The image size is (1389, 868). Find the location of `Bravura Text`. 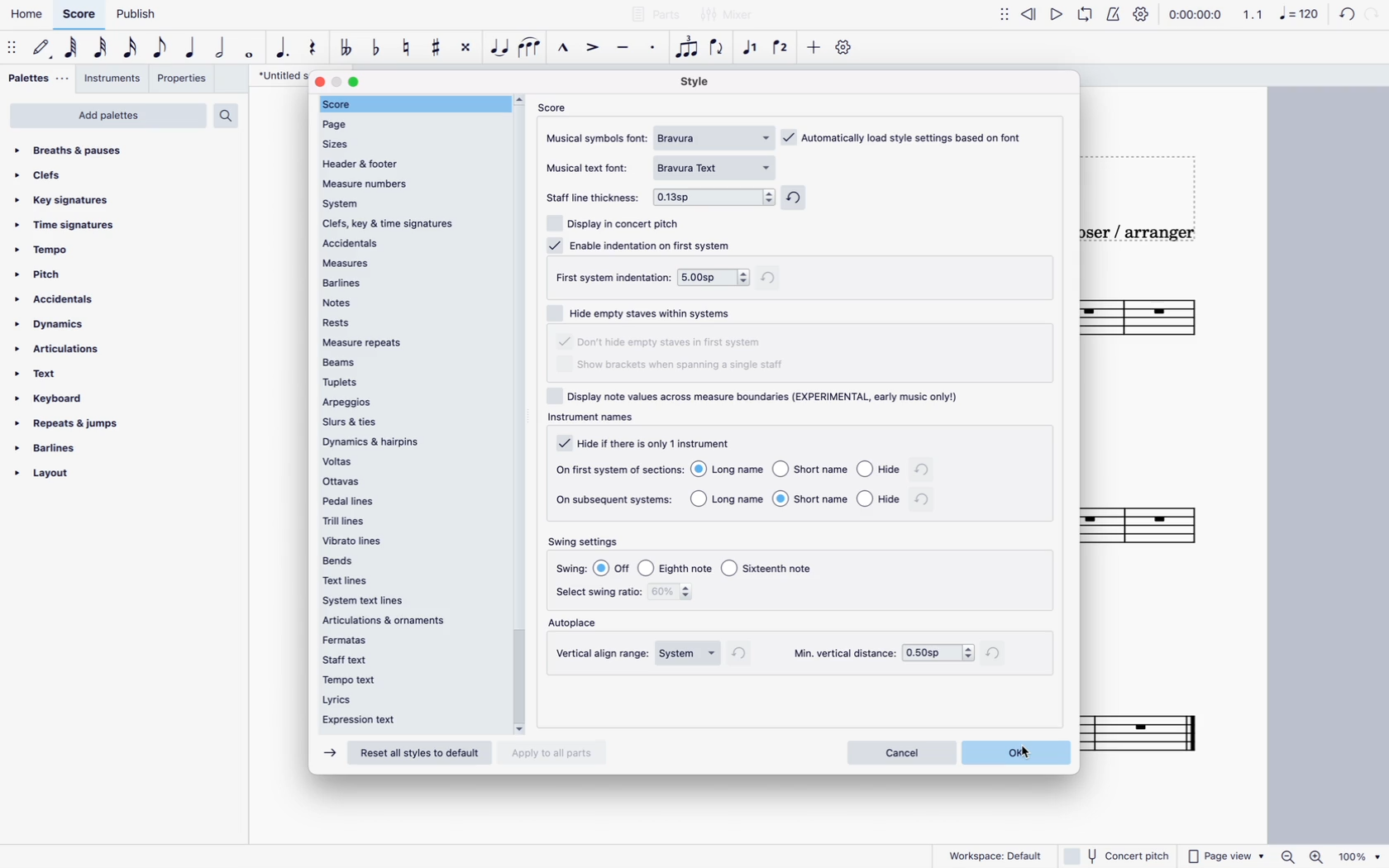

Bravura Text is located at coordinates (719, 168).